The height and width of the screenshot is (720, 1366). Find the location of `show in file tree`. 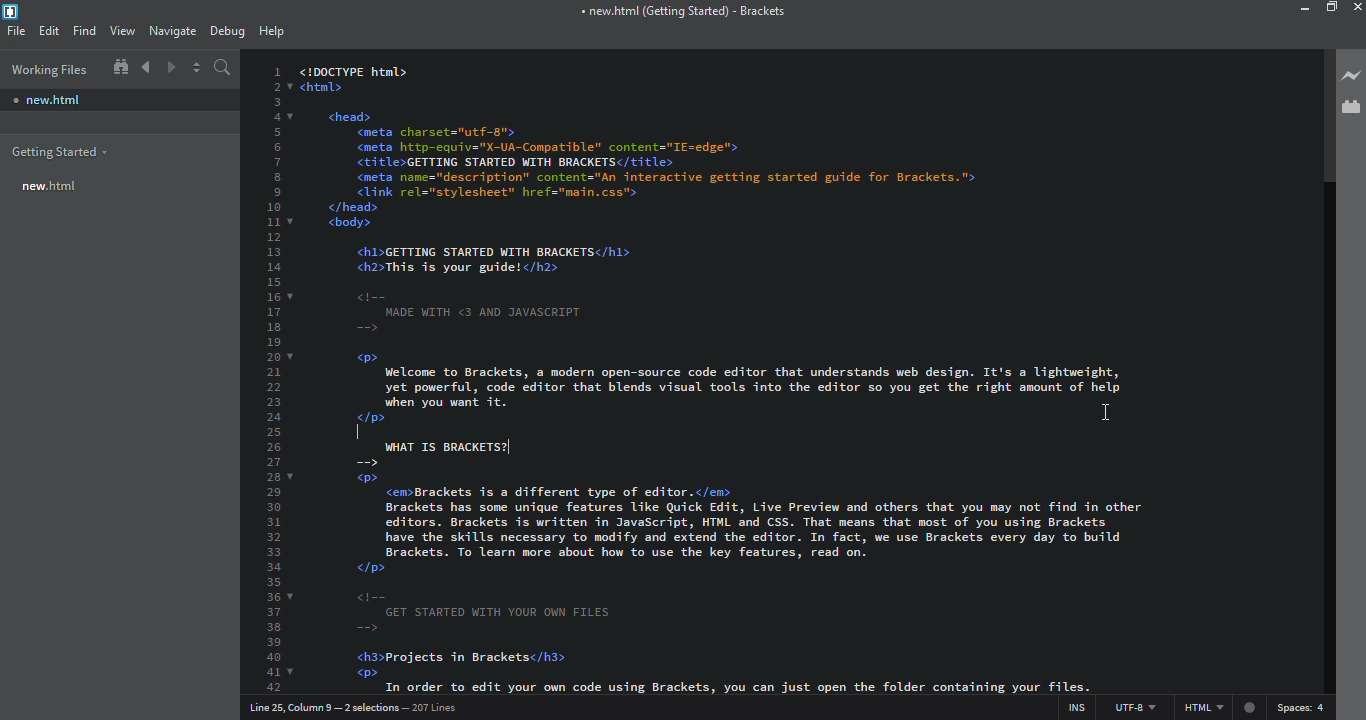

show in file tree is located at coordinates (120, 67).